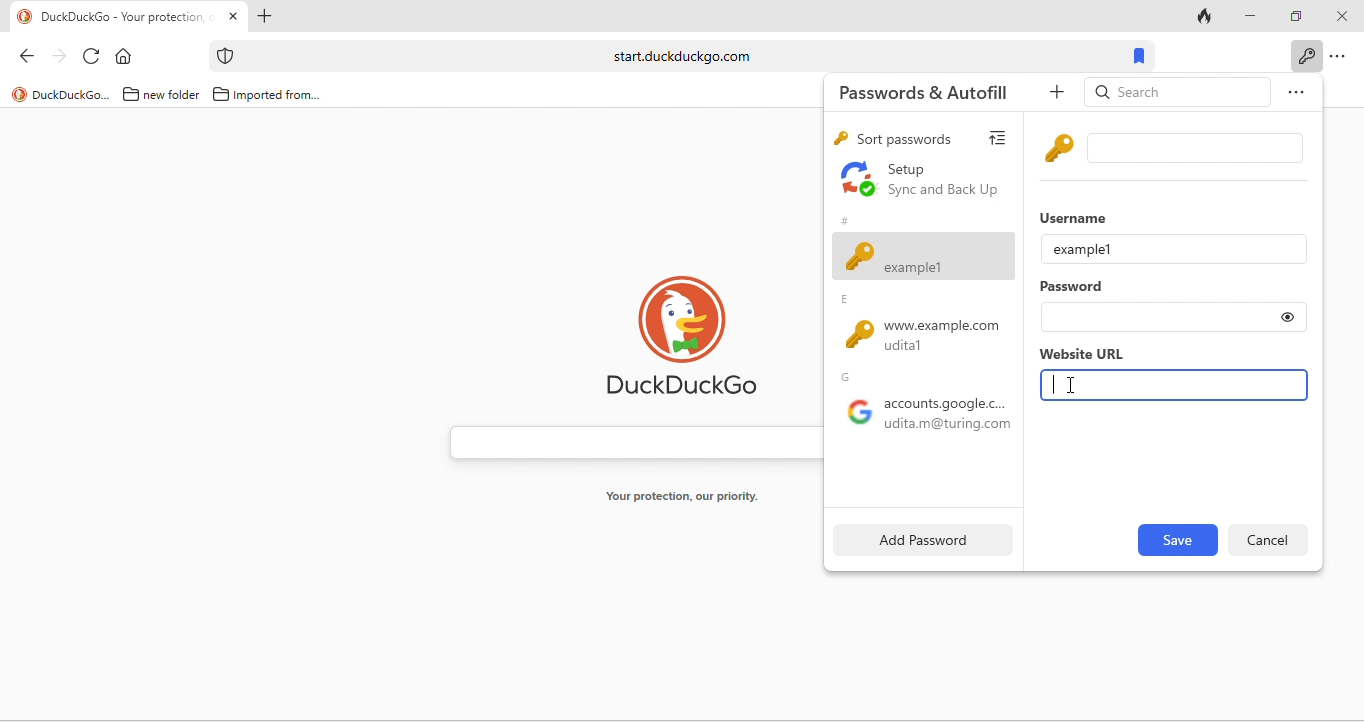 The image size is (1364, 722). What do you see at coordinates (56, 54) in the screenshot?
I see `forward` at bounding box center [56, 54].